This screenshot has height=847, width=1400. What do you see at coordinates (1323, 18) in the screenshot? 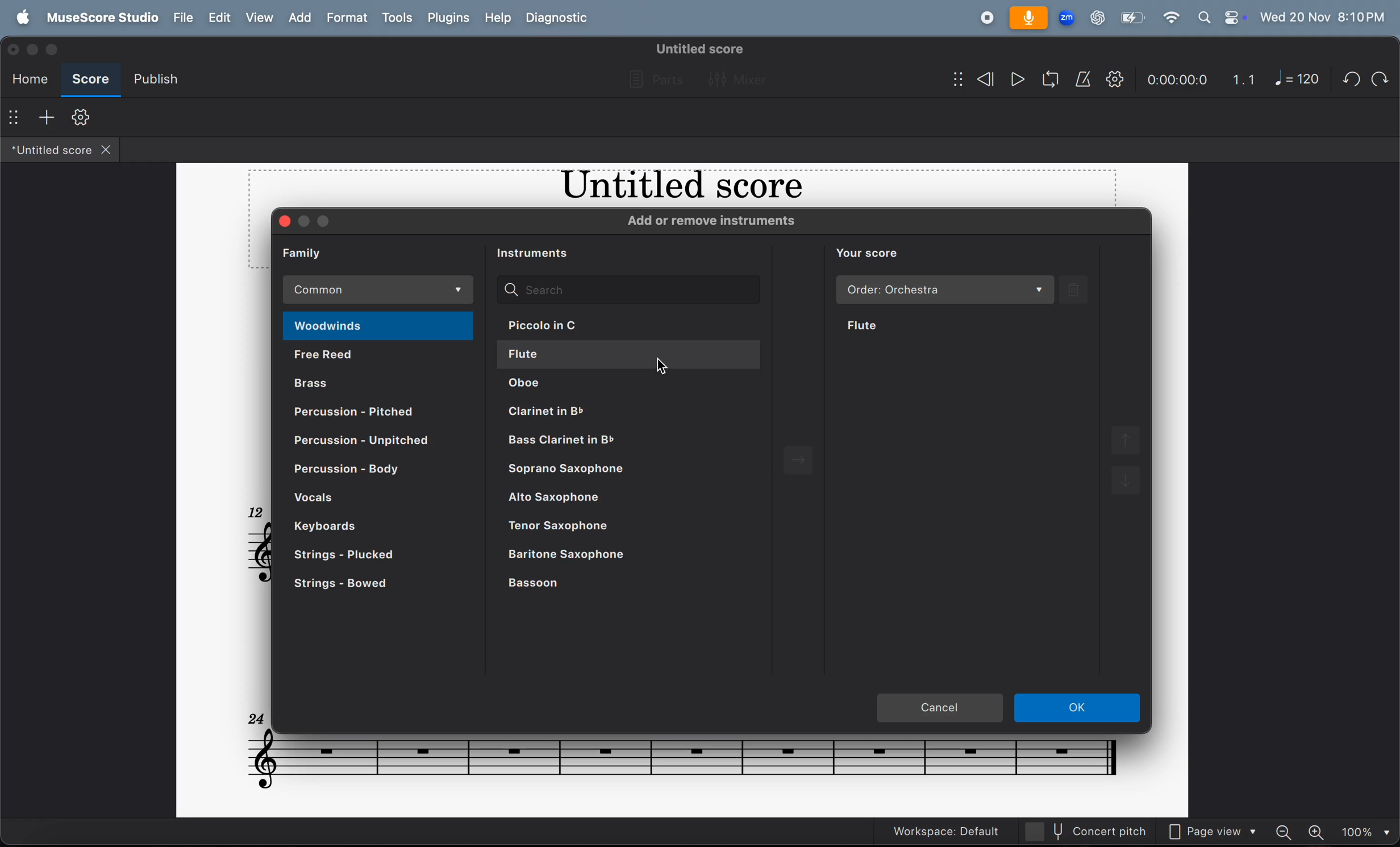
I see `date and time` at bounding box center [1323, 18].